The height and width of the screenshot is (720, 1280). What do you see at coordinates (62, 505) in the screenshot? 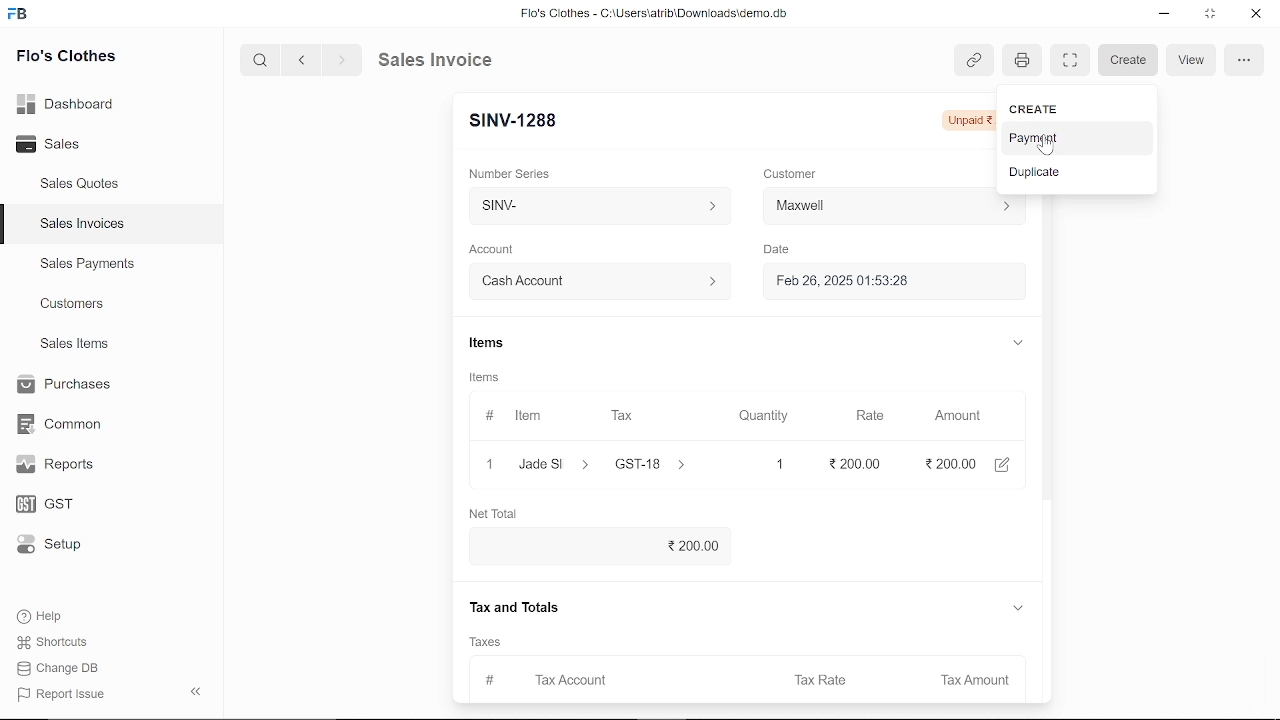
I see `GST` at bounding box center [62, 505].